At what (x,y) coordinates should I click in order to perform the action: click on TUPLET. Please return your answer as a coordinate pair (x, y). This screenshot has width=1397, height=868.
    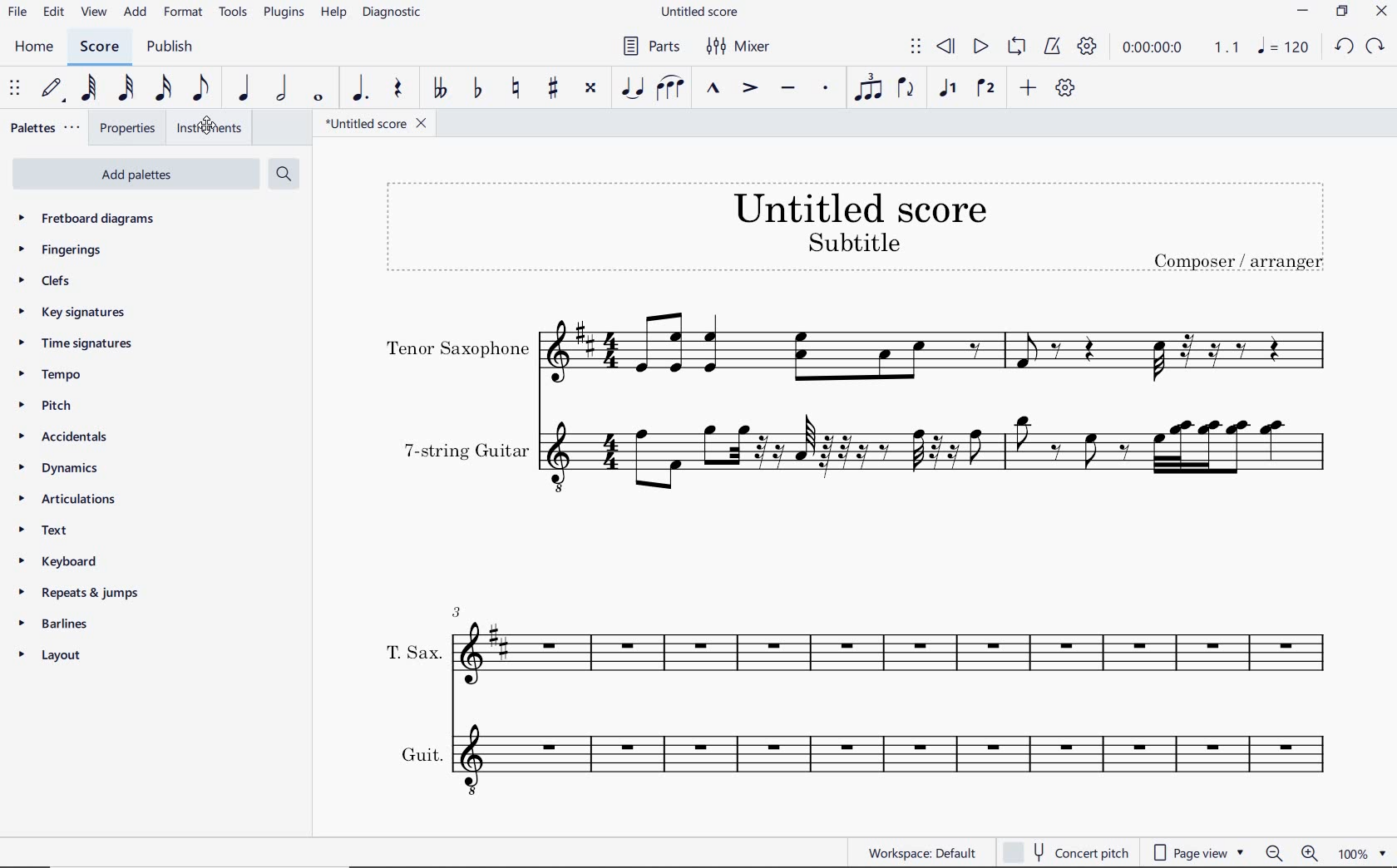
    Looking at the image, I should click on (868, 87).